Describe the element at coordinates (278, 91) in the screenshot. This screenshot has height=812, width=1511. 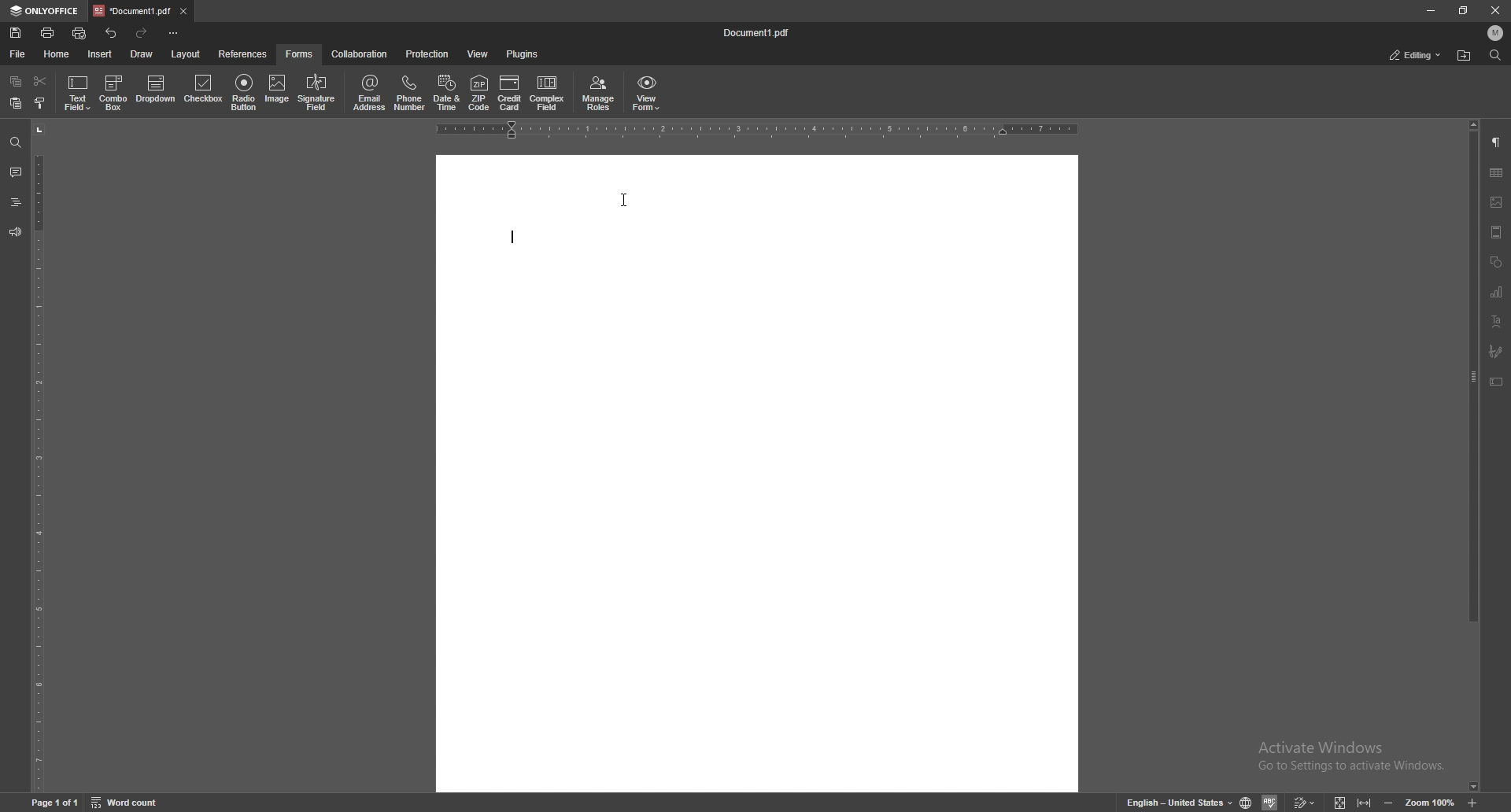
I see `image` at that location.